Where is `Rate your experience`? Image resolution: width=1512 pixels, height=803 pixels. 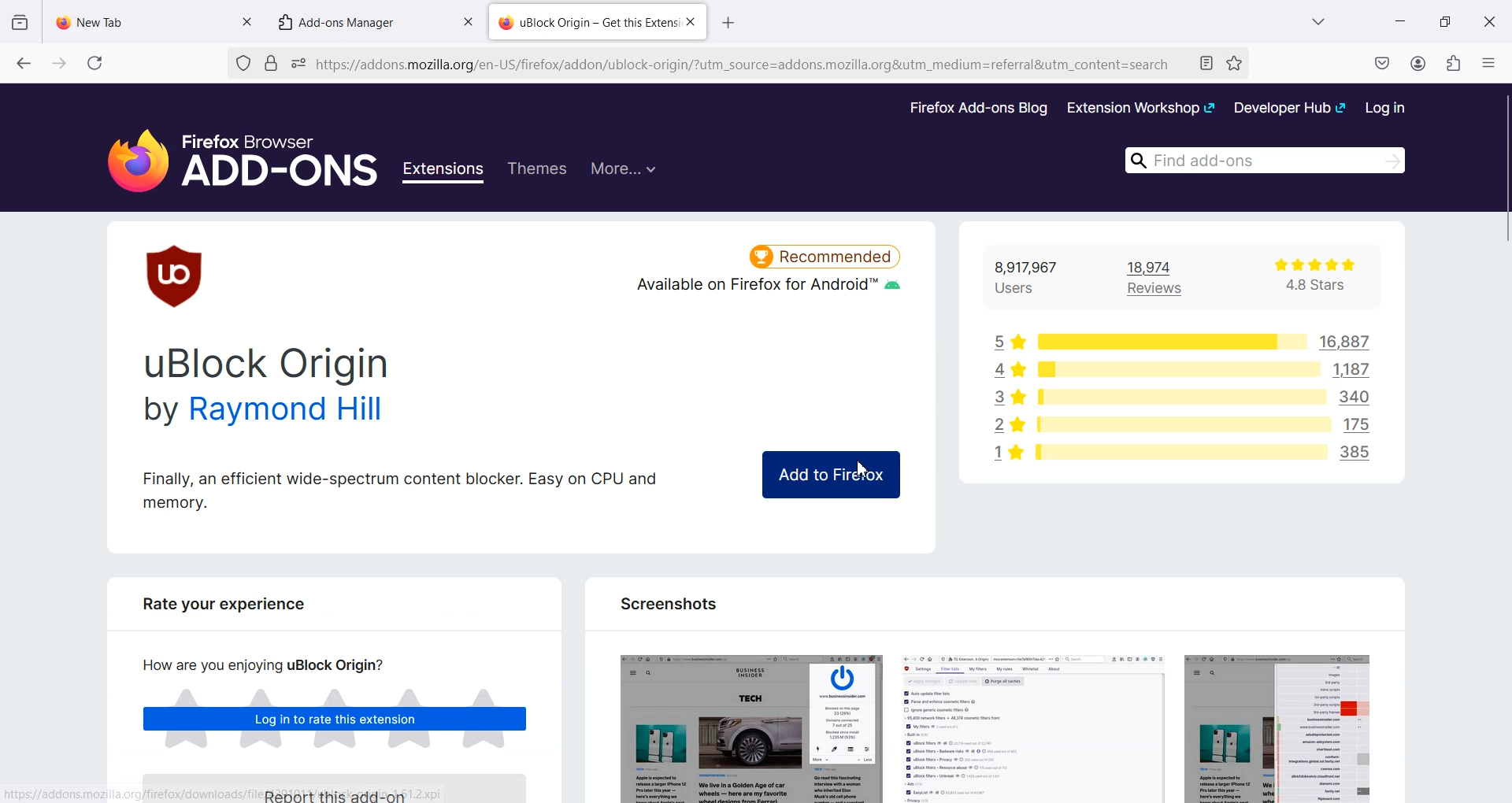
Rate your experience is located at coordinates (216, 609).